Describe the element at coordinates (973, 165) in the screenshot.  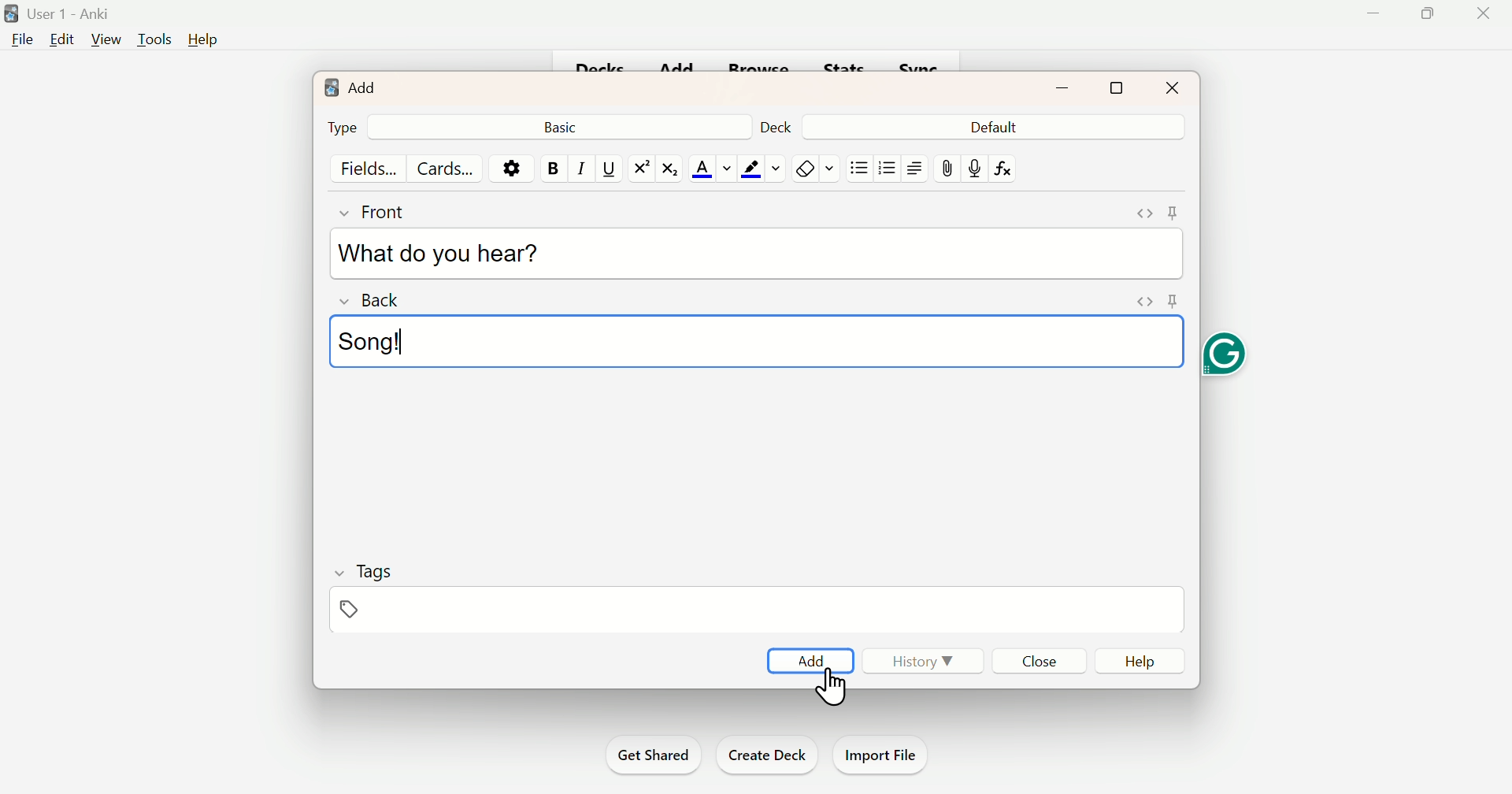
I see `Mic` at that location.